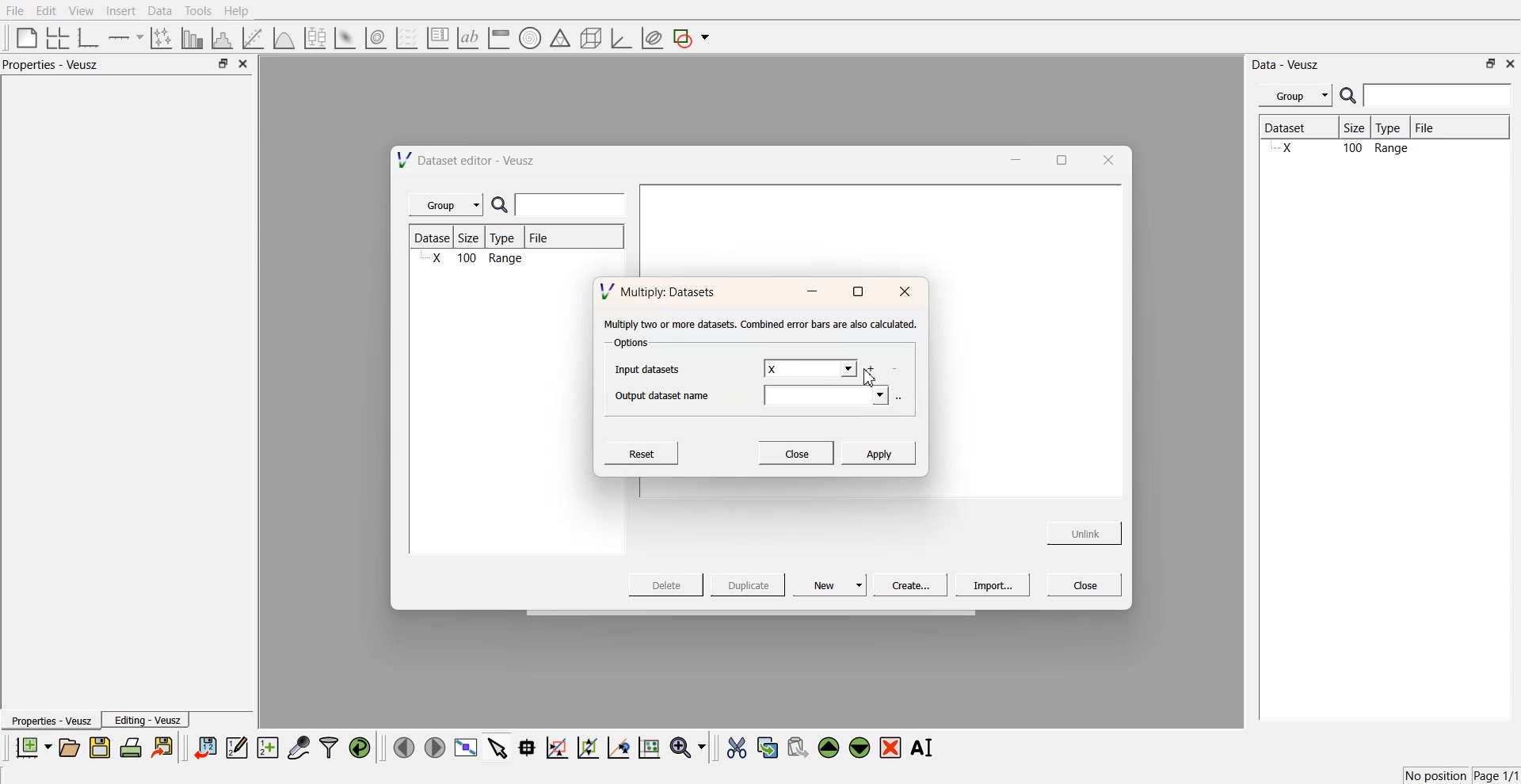 This screenshot has height=784, width=1521. I want to click on add more, so click(873, 368).